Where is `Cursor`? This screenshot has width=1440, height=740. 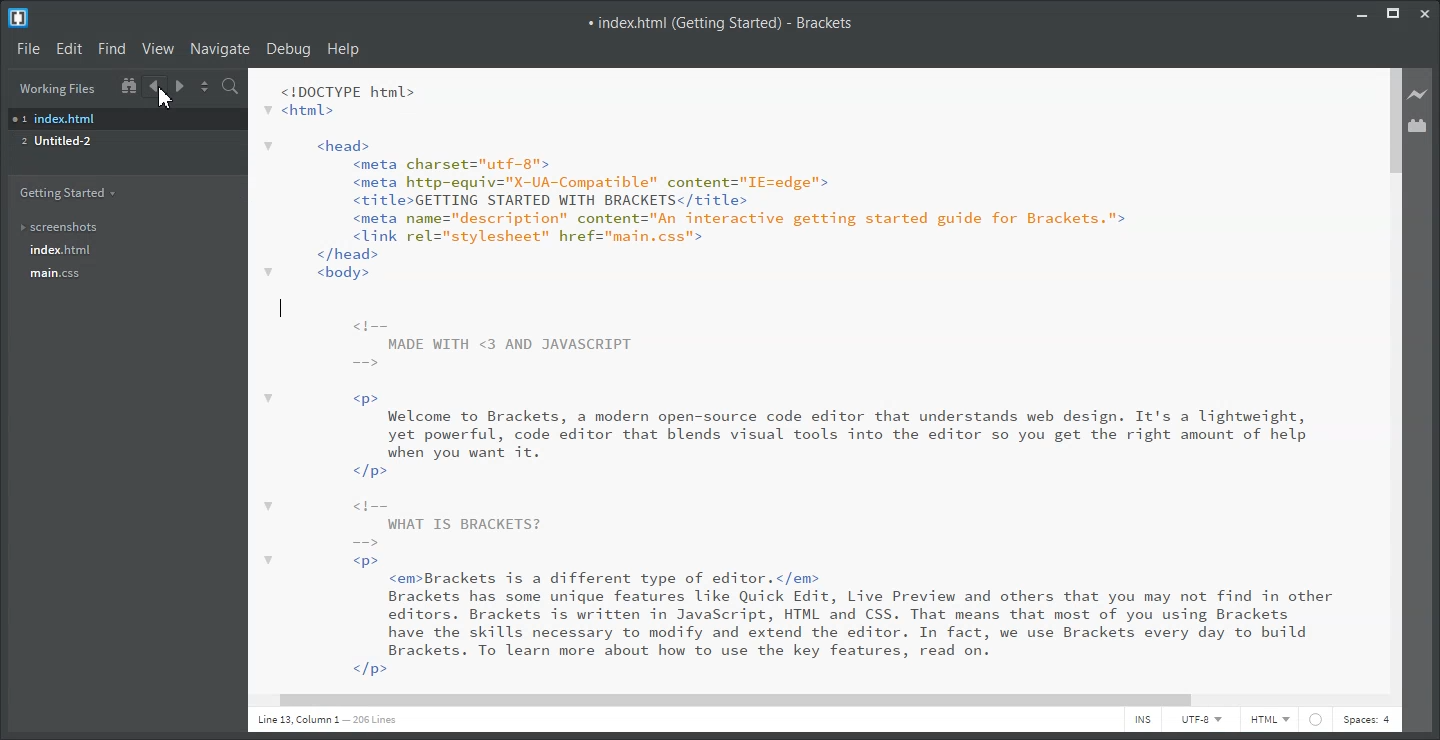 Cursor is located at coordinates (166, 98).